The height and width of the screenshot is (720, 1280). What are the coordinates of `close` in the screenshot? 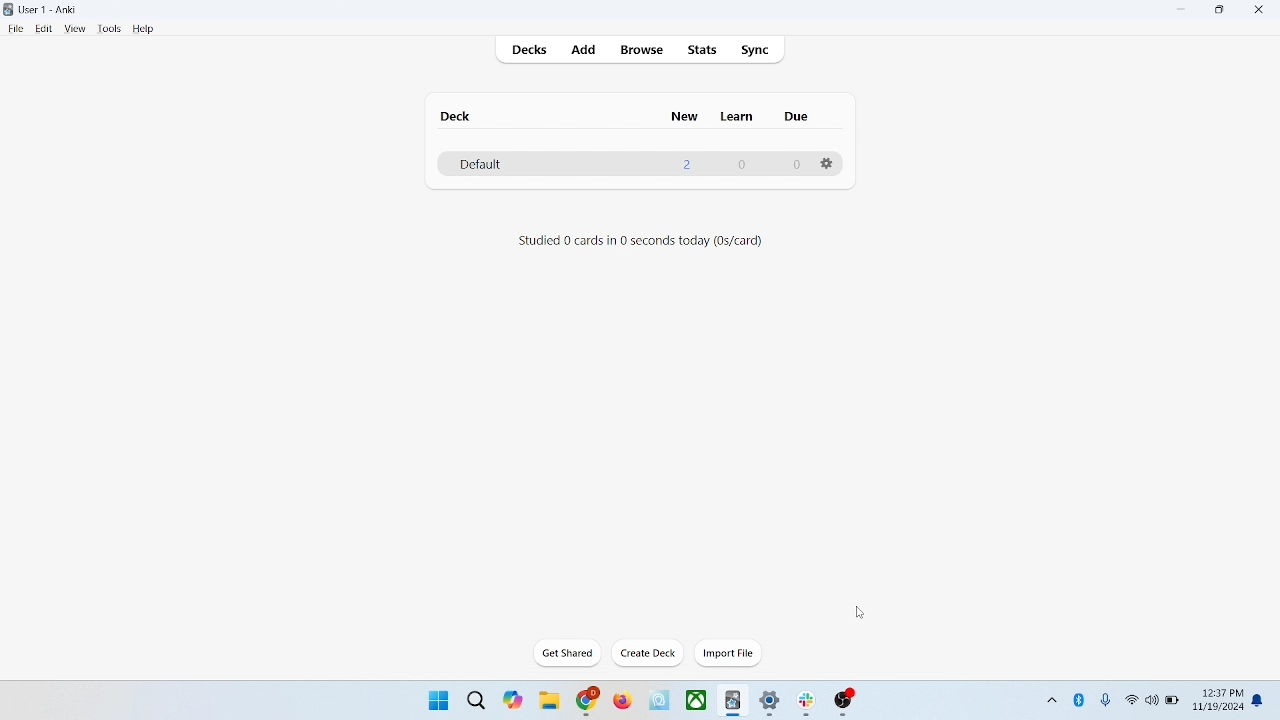 It's located at (1263, 12).